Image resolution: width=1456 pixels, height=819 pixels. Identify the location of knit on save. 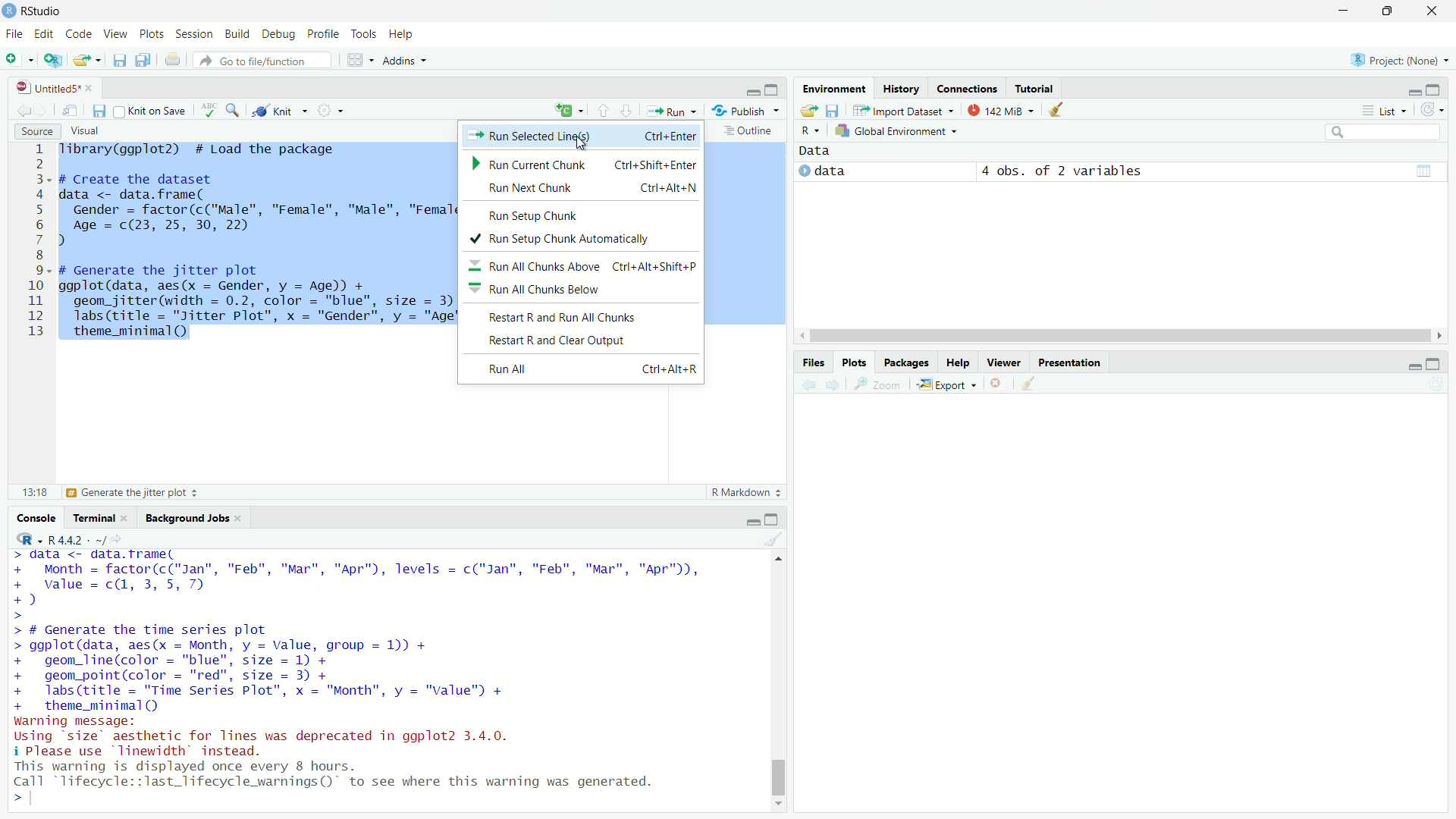
(153, 110).